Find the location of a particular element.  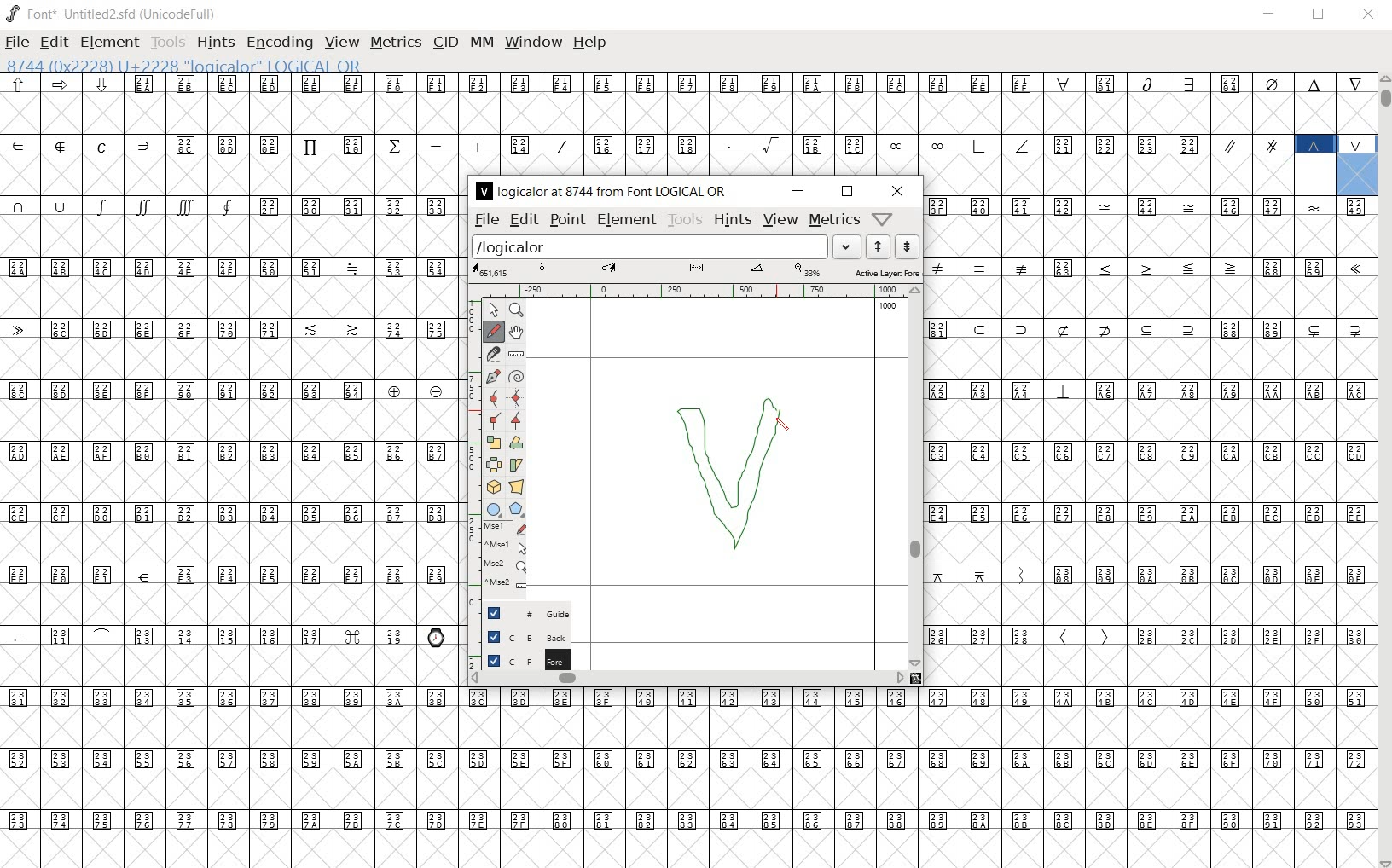

scrollbar is located at coordinates (917, 477).